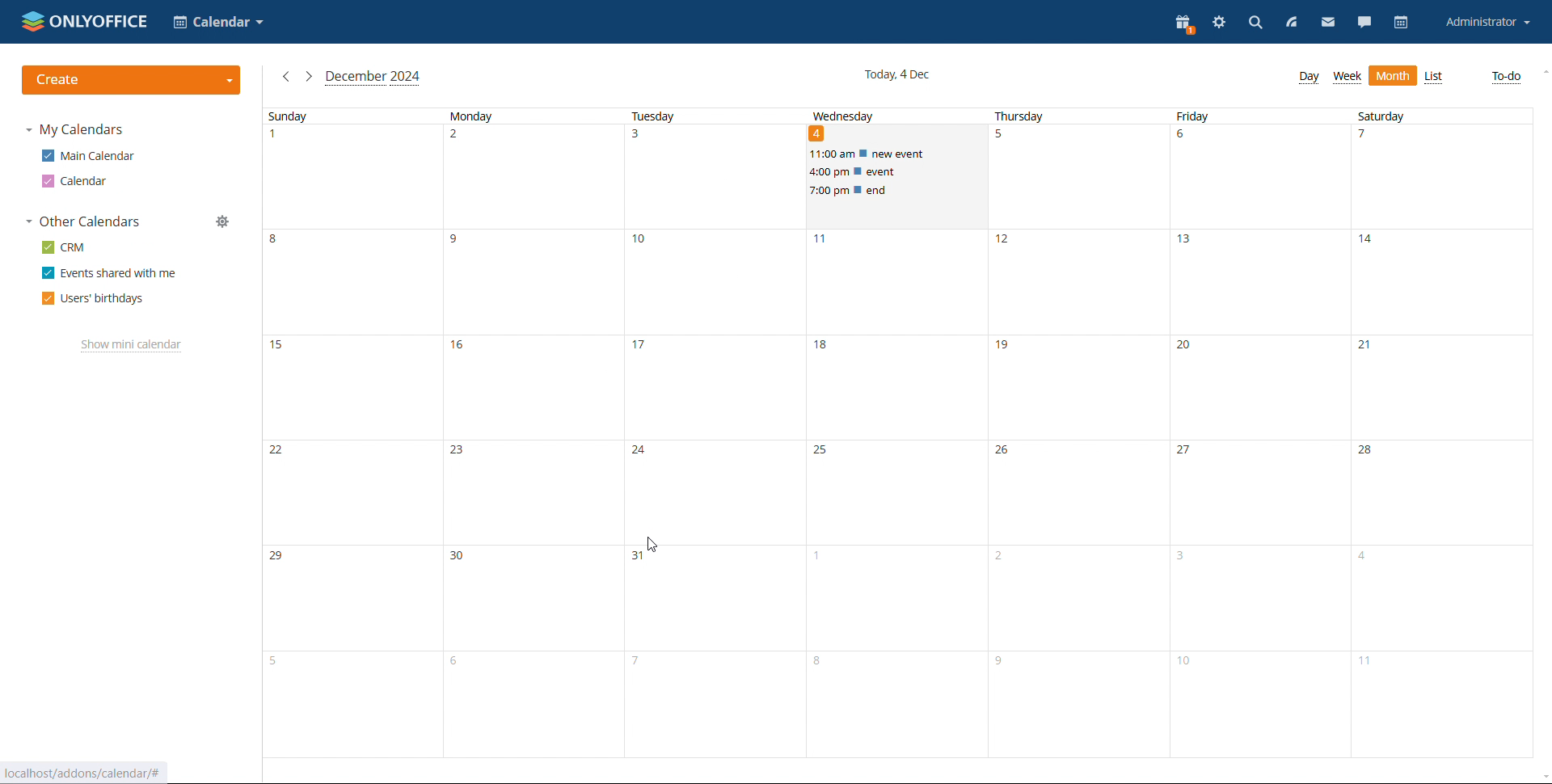  Describe the element at coordinates (533, 433) in the screenshot. I see `monday` at that location.